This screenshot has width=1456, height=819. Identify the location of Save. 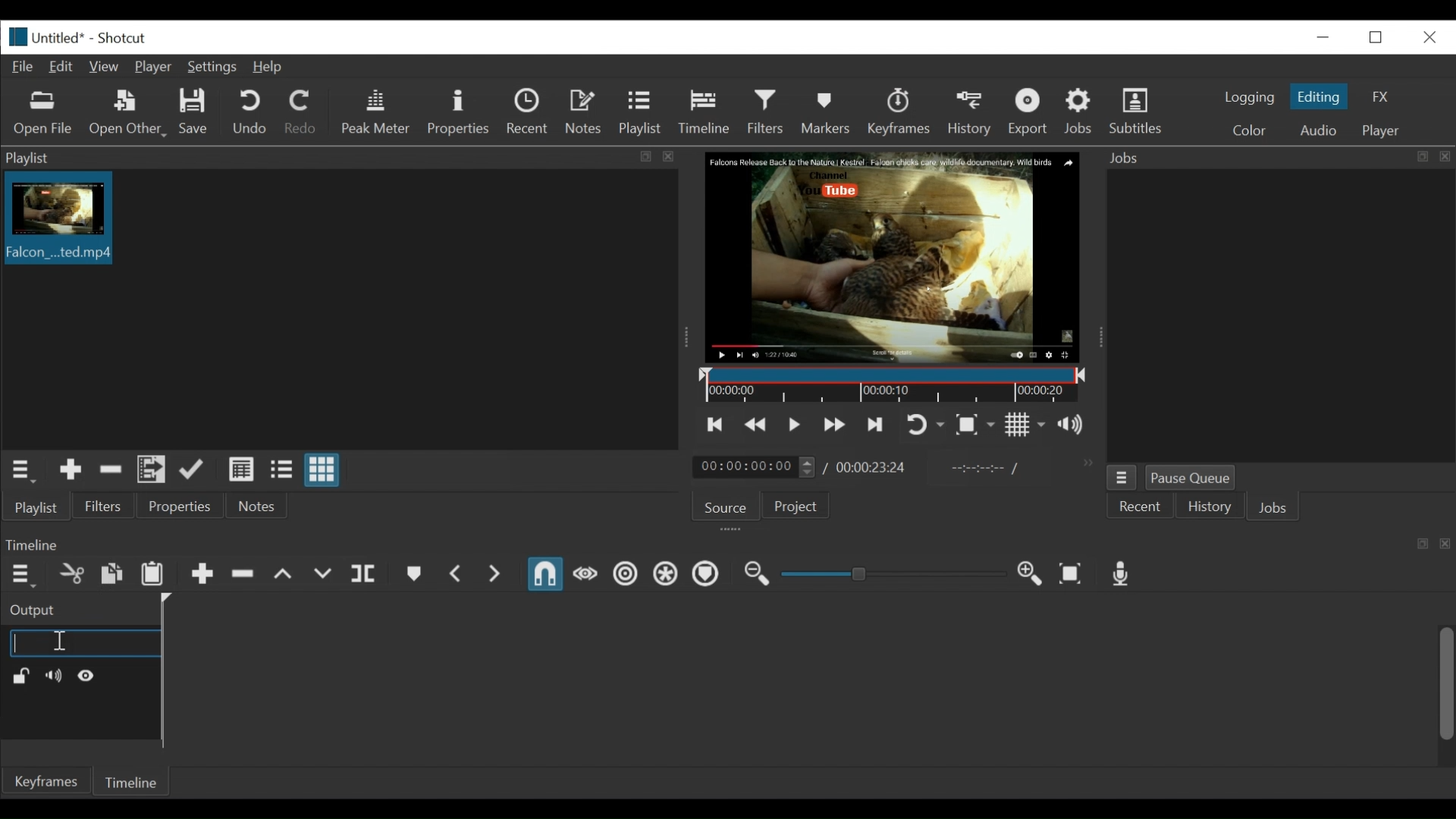
(197, 111).